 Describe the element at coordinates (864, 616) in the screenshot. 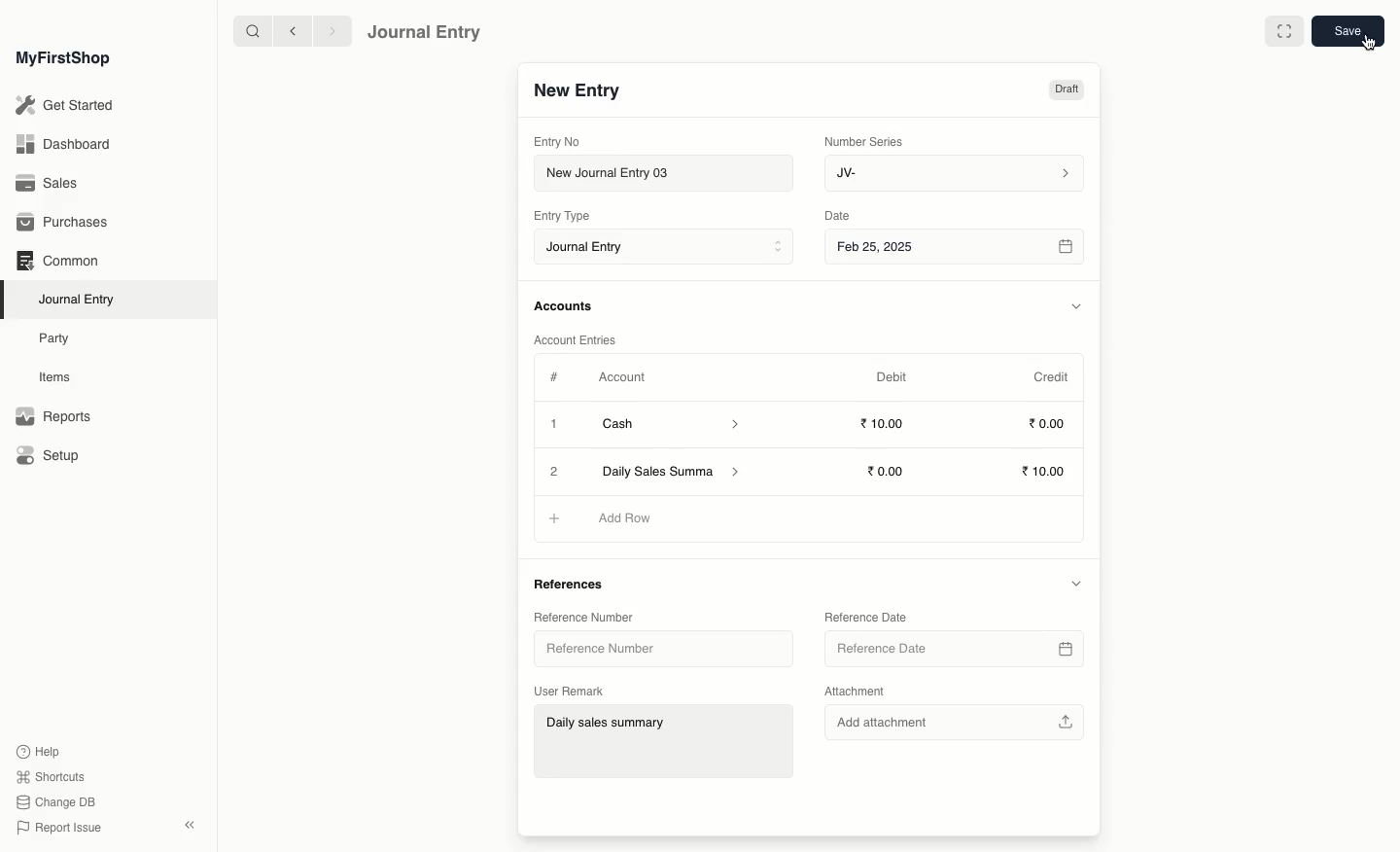

I see `Reference Date` at that location.